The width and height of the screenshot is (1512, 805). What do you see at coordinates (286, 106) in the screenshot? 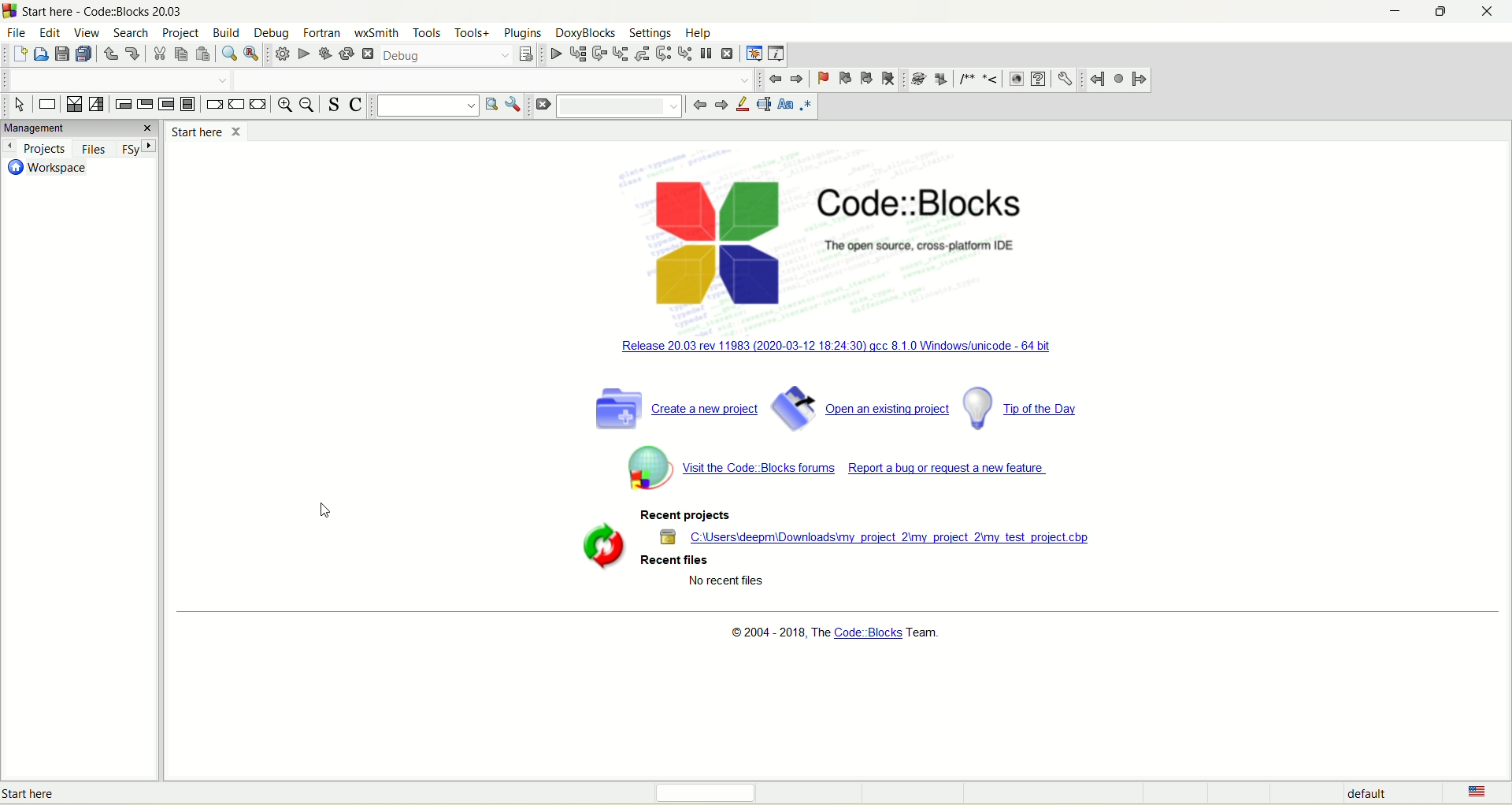
I see `zoom in` at bounding box center [286, 106].